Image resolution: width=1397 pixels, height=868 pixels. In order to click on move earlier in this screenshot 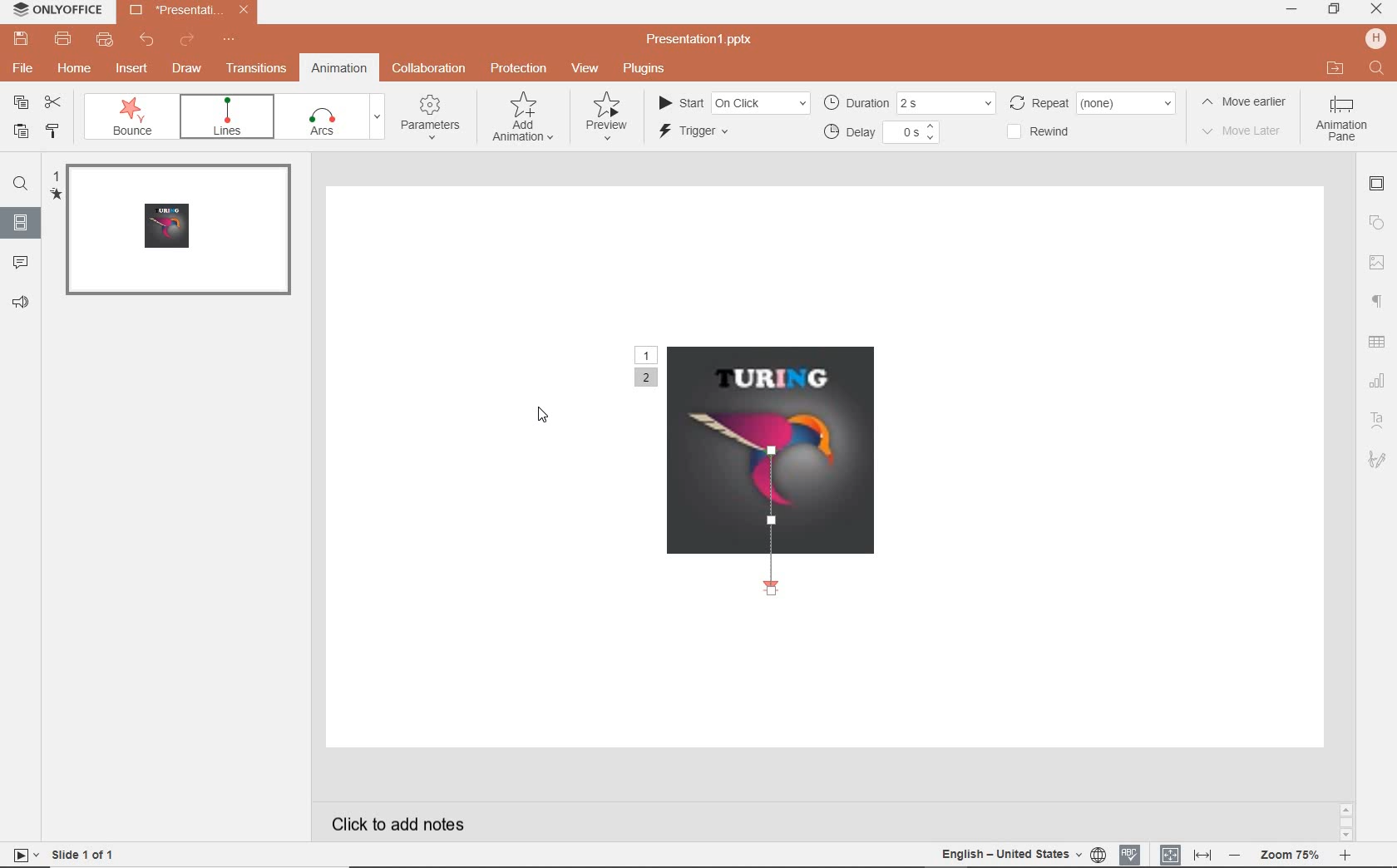, I will do `click(1242, 101)`.